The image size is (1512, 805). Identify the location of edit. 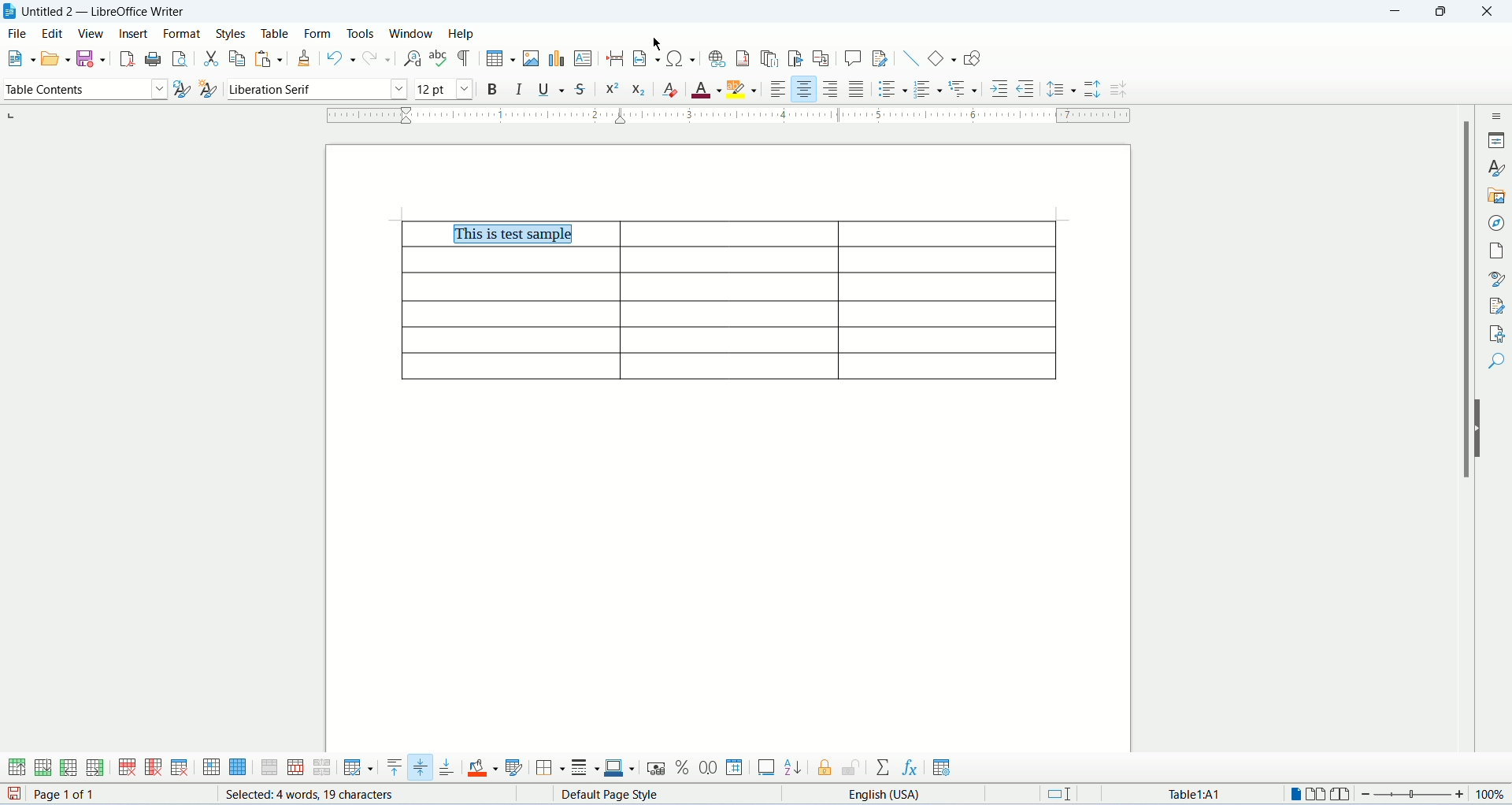
(54, 33).